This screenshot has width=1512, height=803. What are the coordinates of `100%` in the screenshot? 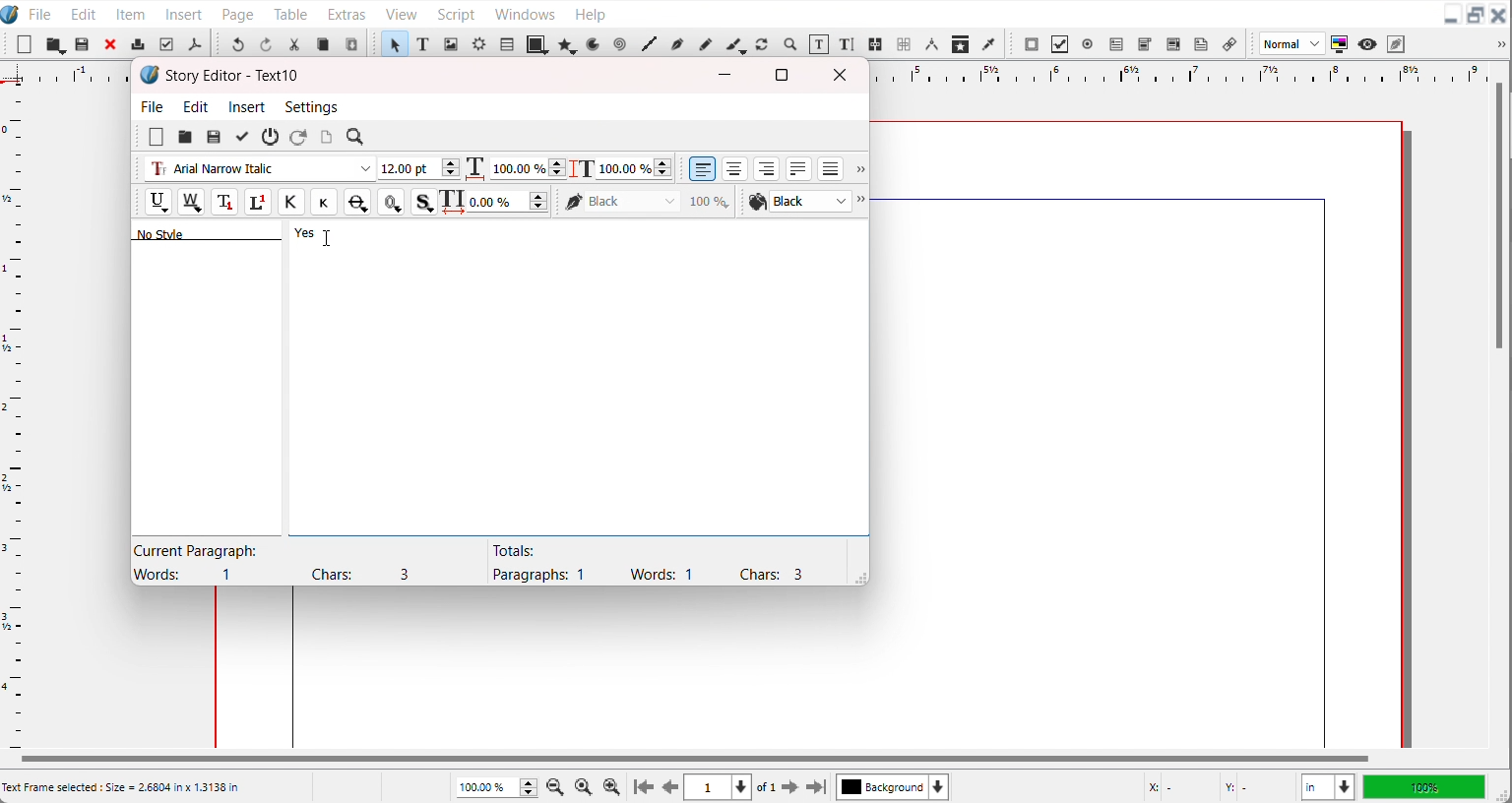 It's located at (1423, 786).